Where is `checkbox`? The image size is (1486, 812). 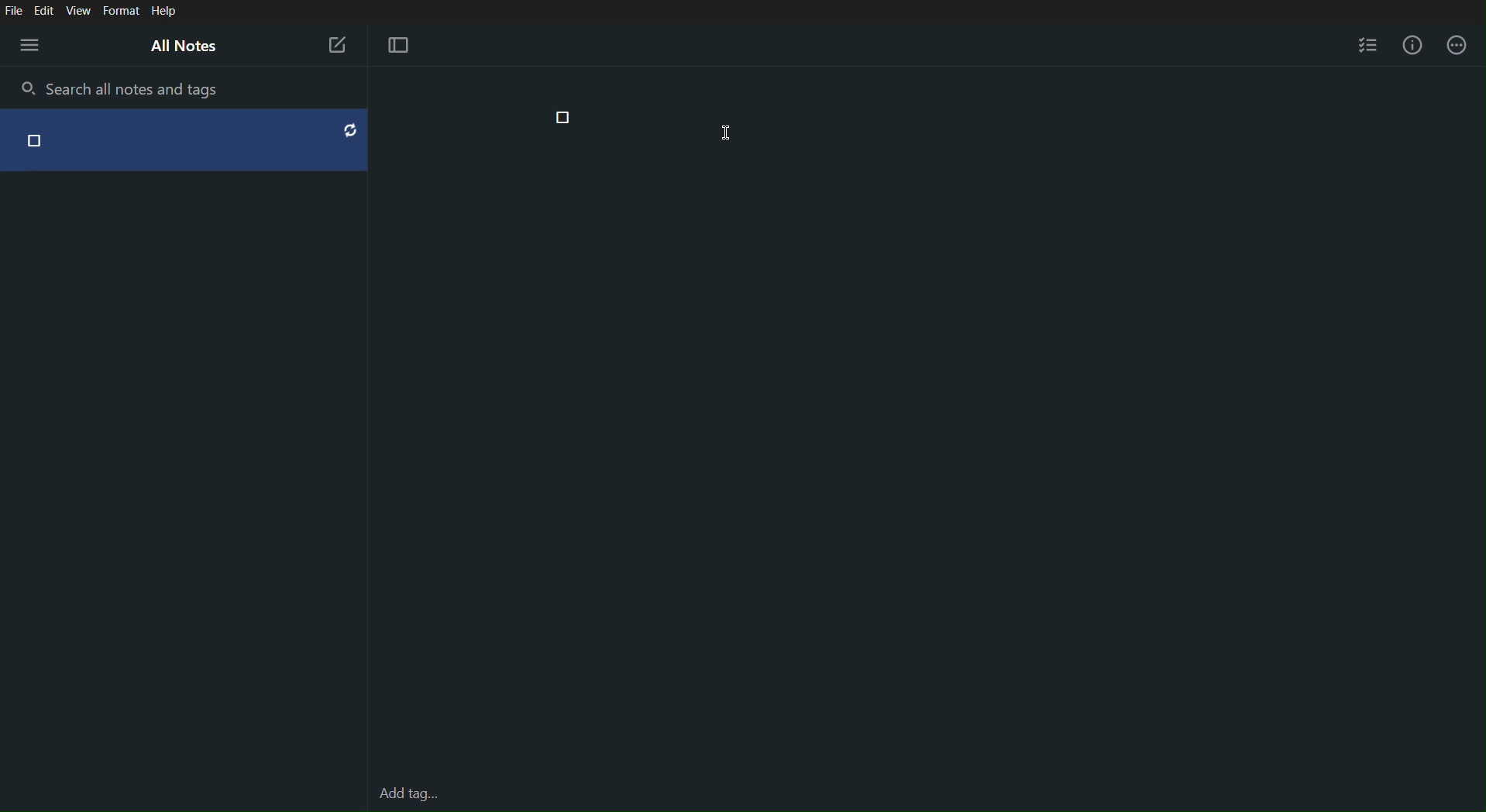 checkbox is located at coordinates (30, 139).